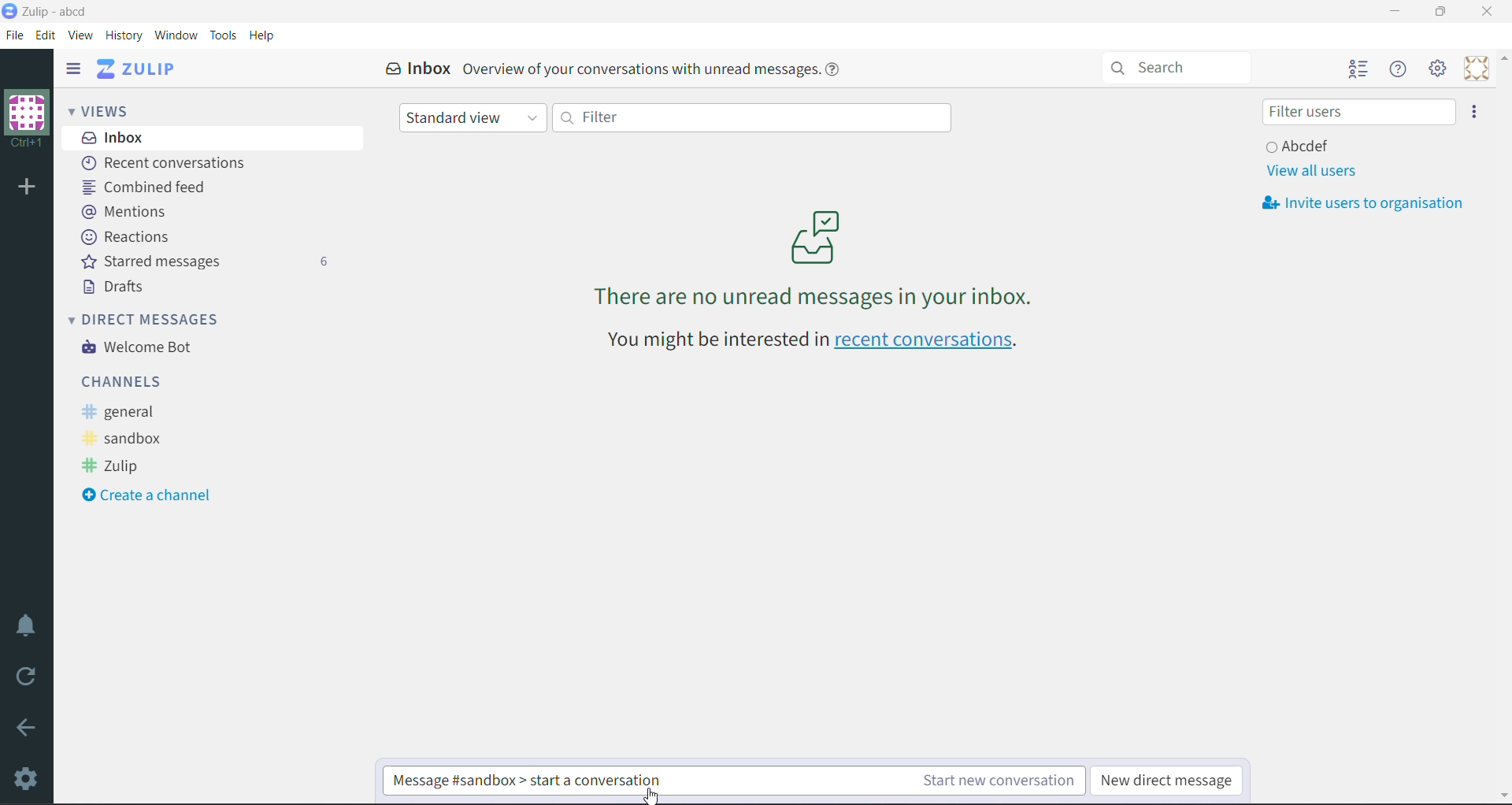 Image resolution: width=1512 pixels, height=805 pixels. What do you see at coordinates (141, 348) in the screenshot?
I see `Welcome Bot` at bounding box center [141, 348].